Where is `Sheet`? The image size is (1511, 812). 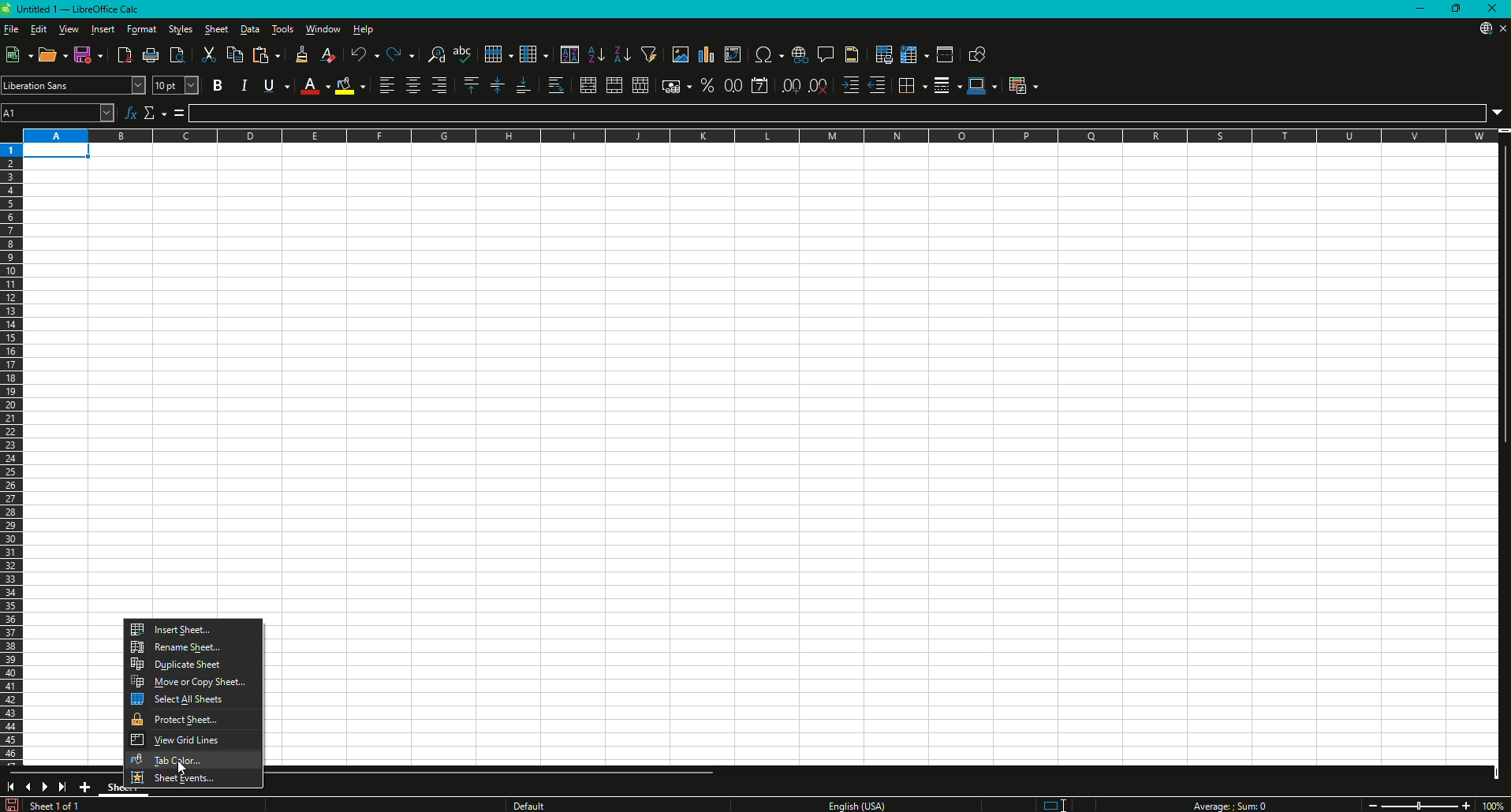 Sheet is located at coordinates (218, 28).